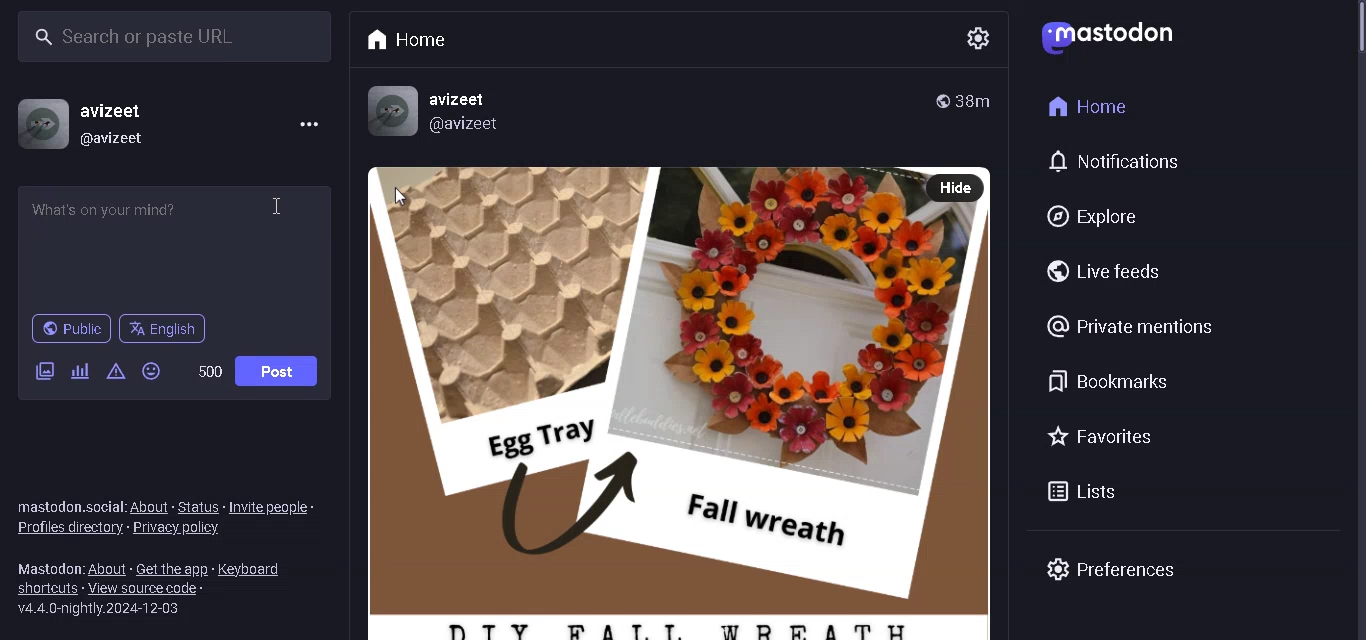  Describe the element at coordinates (44, 370) in the screenshot. I see `add image` at that location.